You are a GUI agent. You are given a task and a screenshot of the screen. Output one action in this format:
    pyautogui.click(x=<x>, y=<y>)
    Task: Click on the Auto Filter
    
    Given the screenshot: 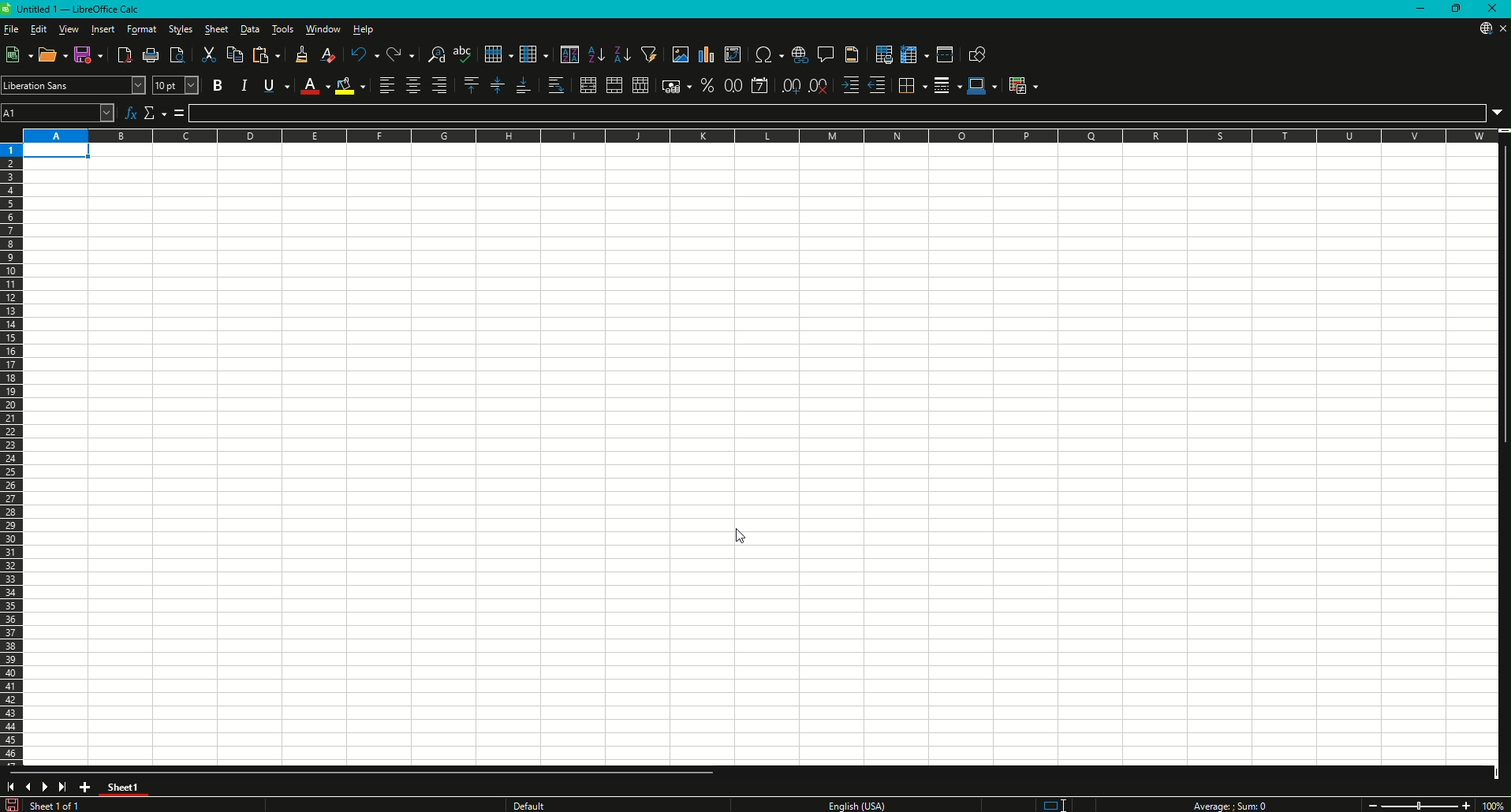 What is the action you would take?
    pyautogui.click(x=650, y=54)
    